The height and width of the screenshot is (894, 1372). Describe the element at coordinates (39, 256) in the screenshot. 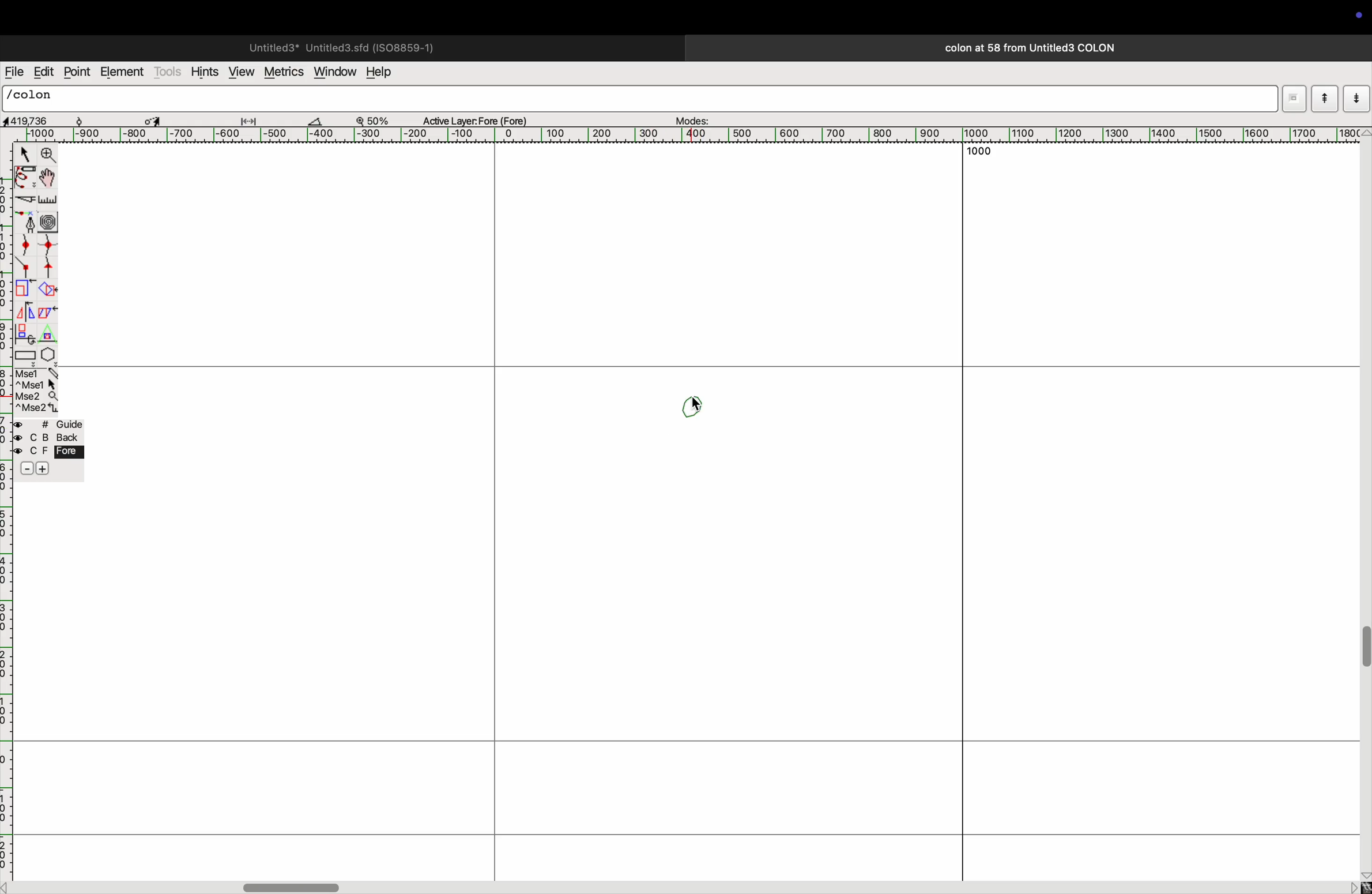

I see `spline` at that location.